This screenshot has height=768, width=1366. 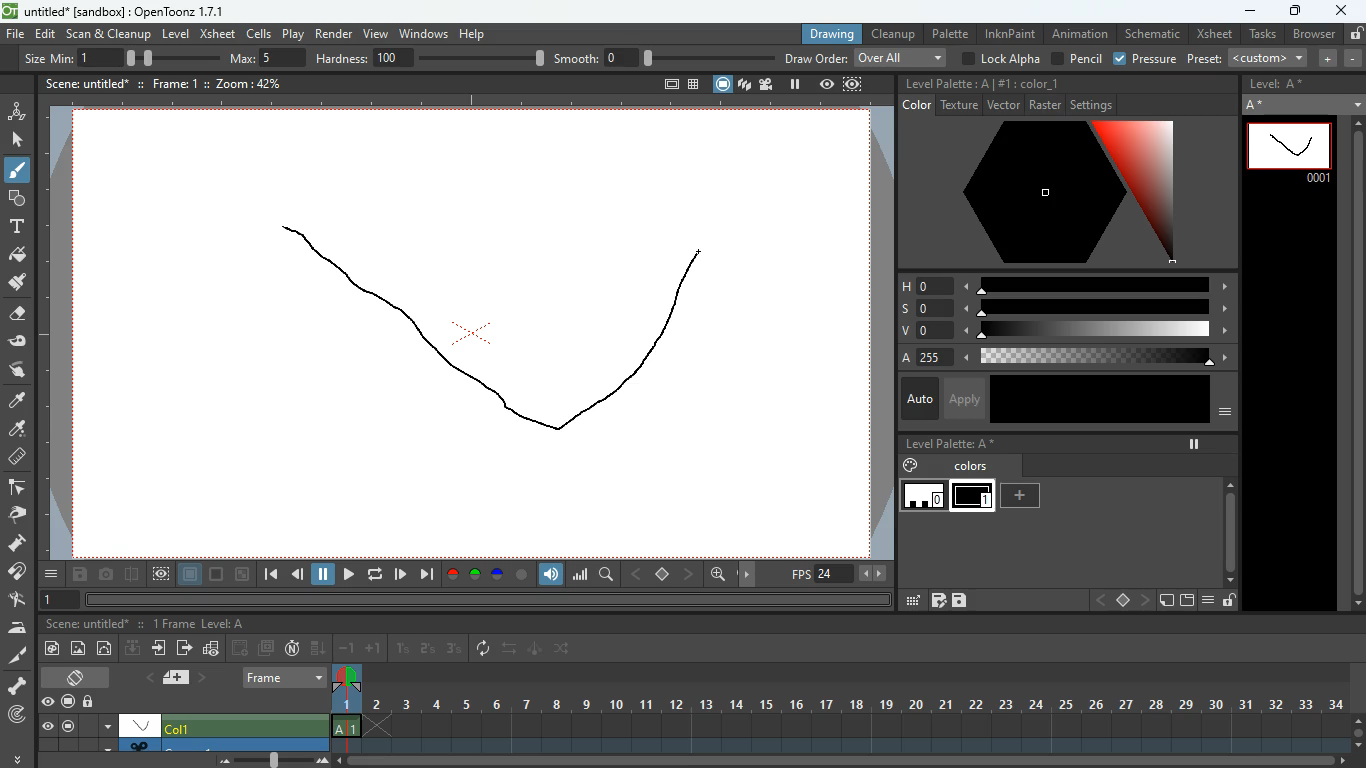 What do you see at coordinates (191, 575) in the screenshot?
I see `page` at bounding box center [191, 575].